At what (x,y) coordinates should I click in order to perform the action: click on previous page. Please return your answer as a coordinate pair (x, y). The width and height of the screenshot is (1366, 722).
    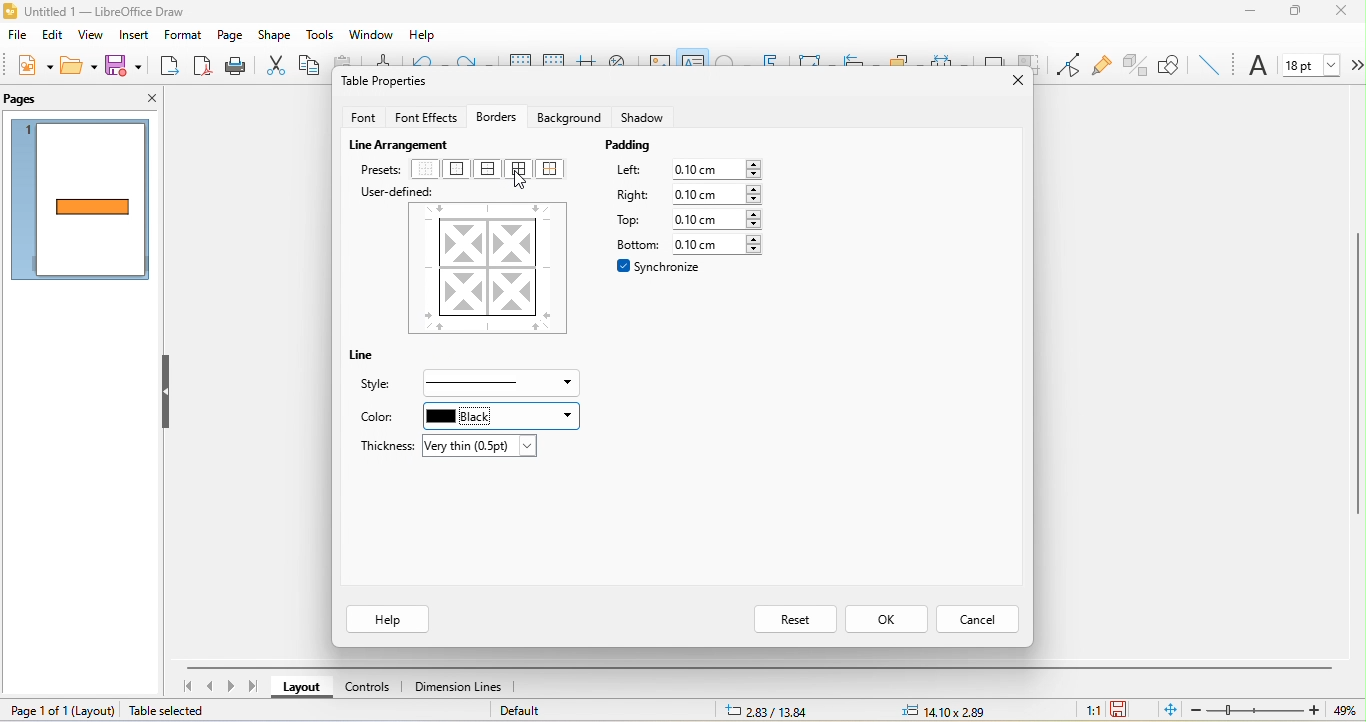
    Looking at the image, I should click on (212, 688).